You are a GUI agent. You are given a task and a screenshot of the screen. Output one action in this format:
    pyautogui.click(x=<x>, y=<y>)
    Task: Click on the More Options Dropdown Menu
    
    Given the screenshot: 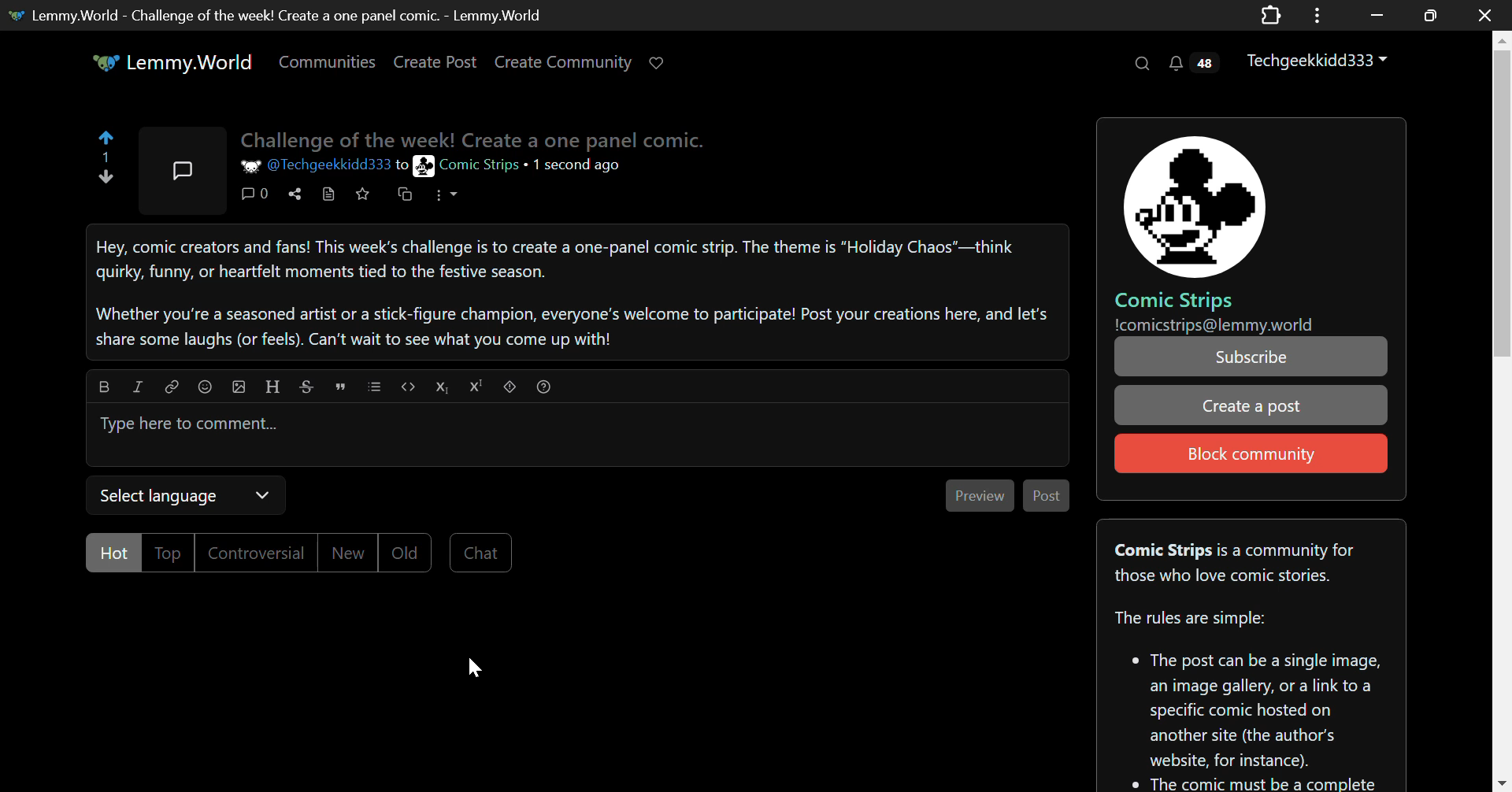 What is the action you would take?
    pyautogui.click(x=450, y=197)
    